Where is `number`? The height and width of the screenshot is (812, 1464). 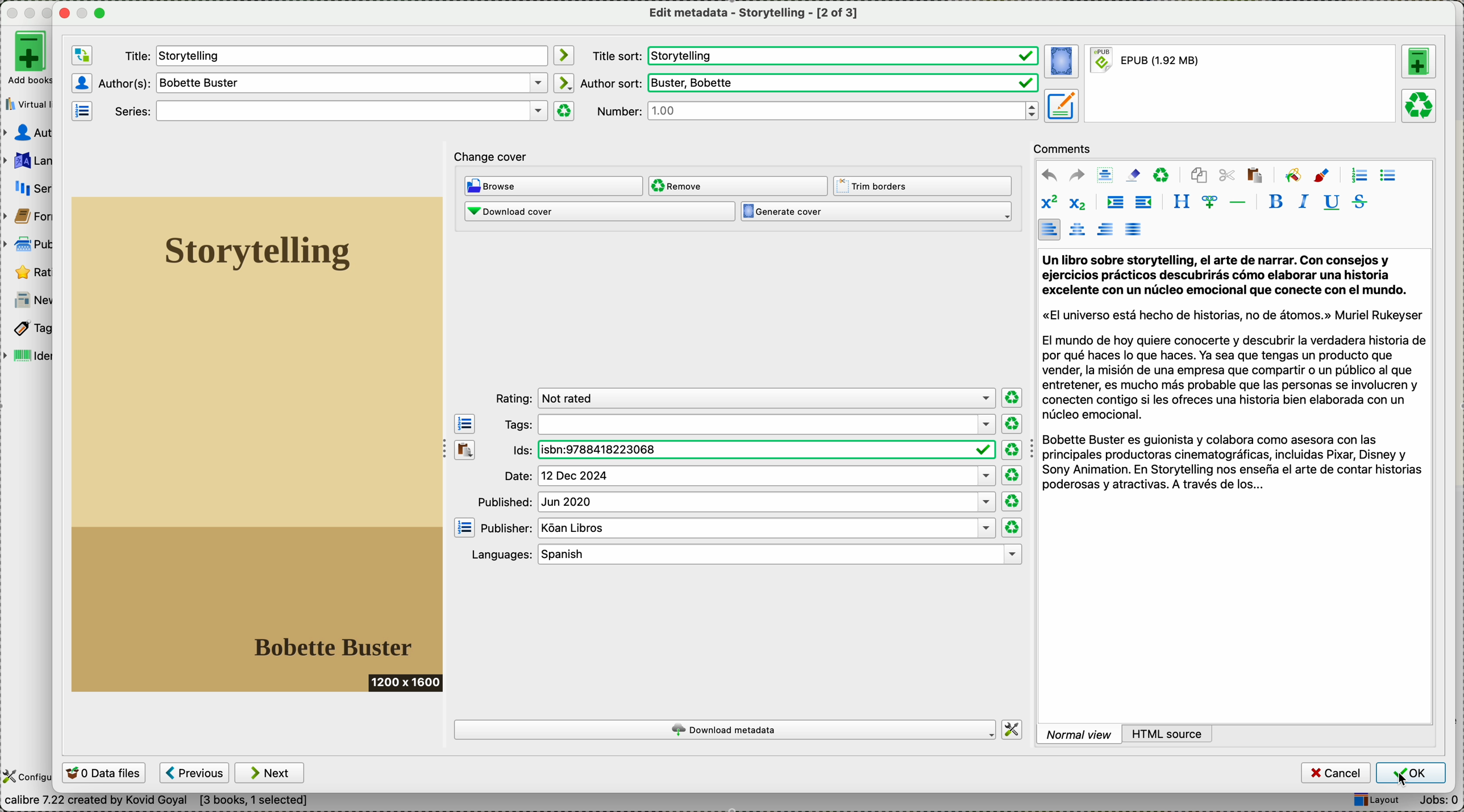 number is located at coordinates (815, 111).